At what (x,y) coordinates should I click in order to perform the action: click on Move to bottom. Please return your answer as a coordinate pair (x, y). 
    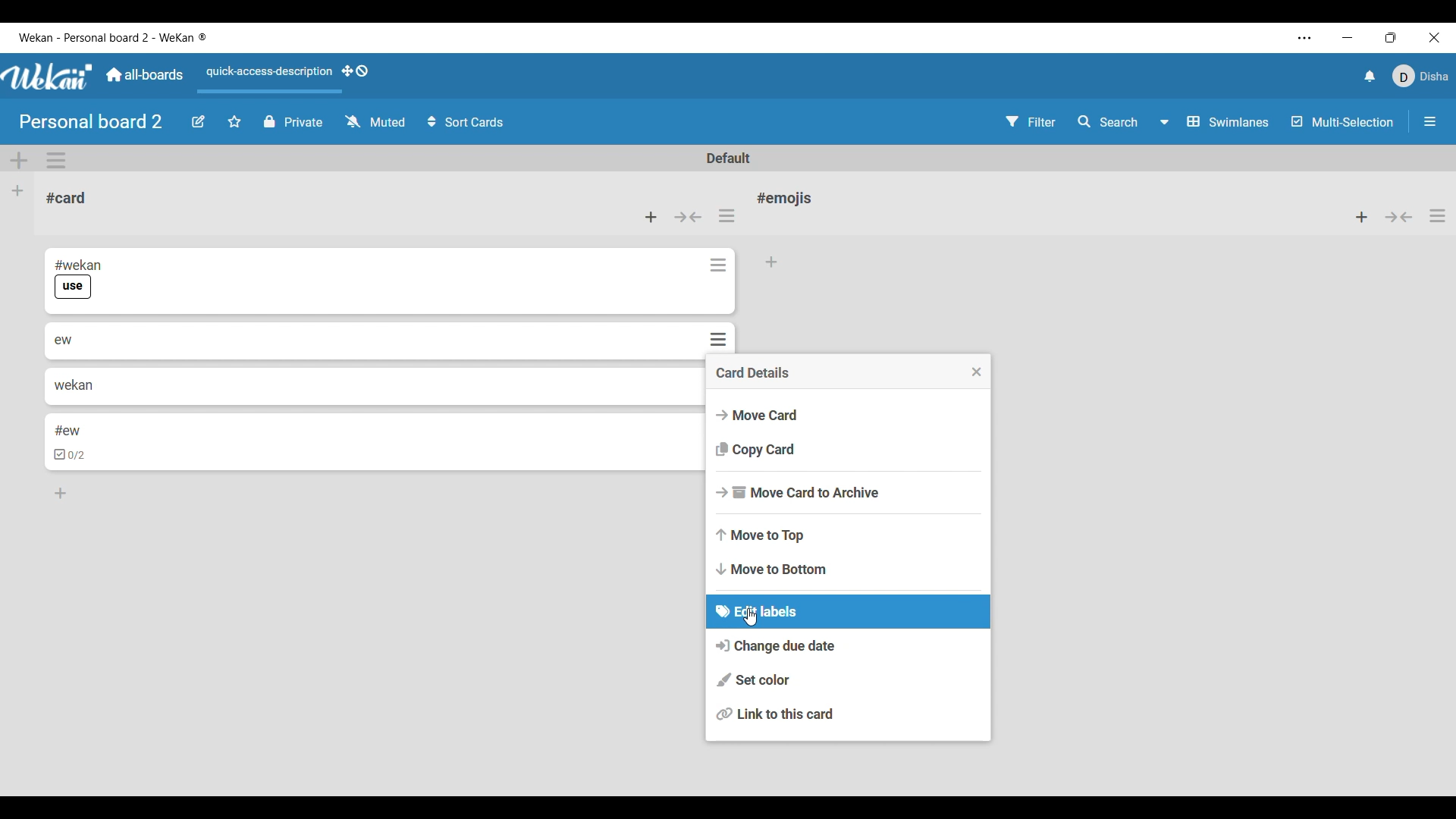
    Looking at the image, I should click on (849, 571).